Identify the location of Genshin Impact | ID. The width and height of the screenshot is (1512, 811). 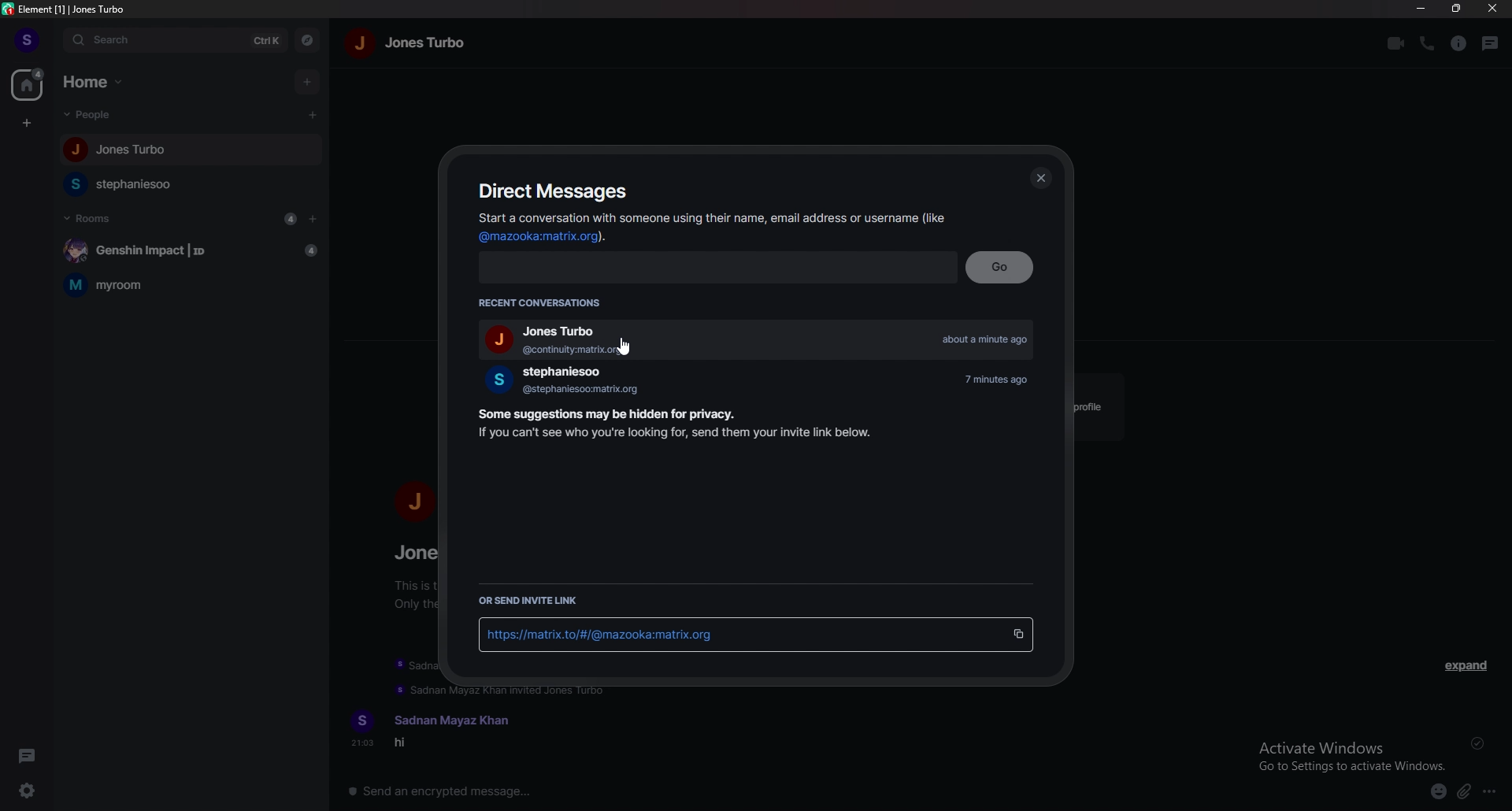
(187, 249).